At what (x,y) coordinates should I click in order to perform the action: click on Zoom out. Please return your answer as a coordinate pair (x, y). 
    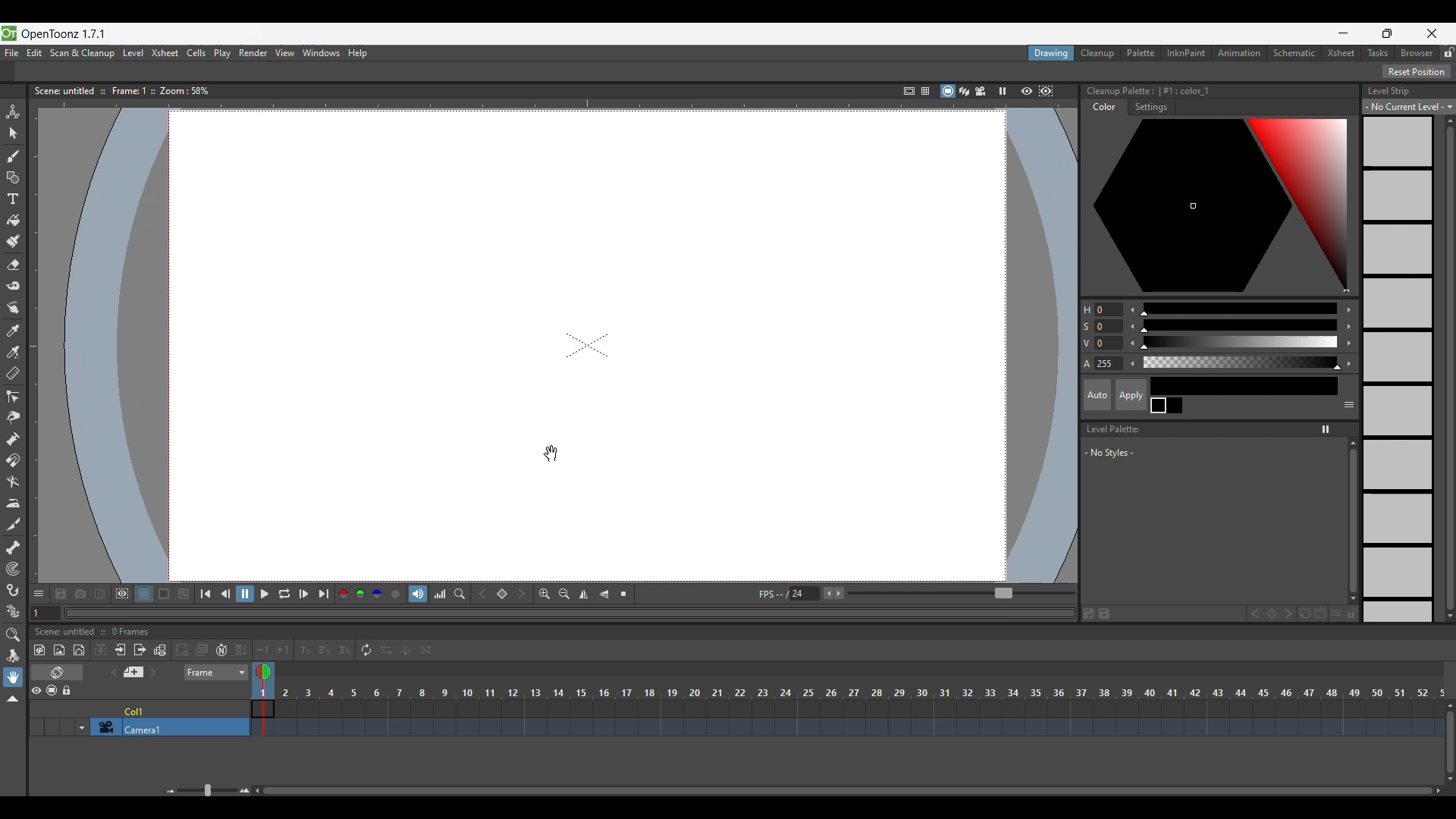
    Looking at the image, I should click on (168, 789).